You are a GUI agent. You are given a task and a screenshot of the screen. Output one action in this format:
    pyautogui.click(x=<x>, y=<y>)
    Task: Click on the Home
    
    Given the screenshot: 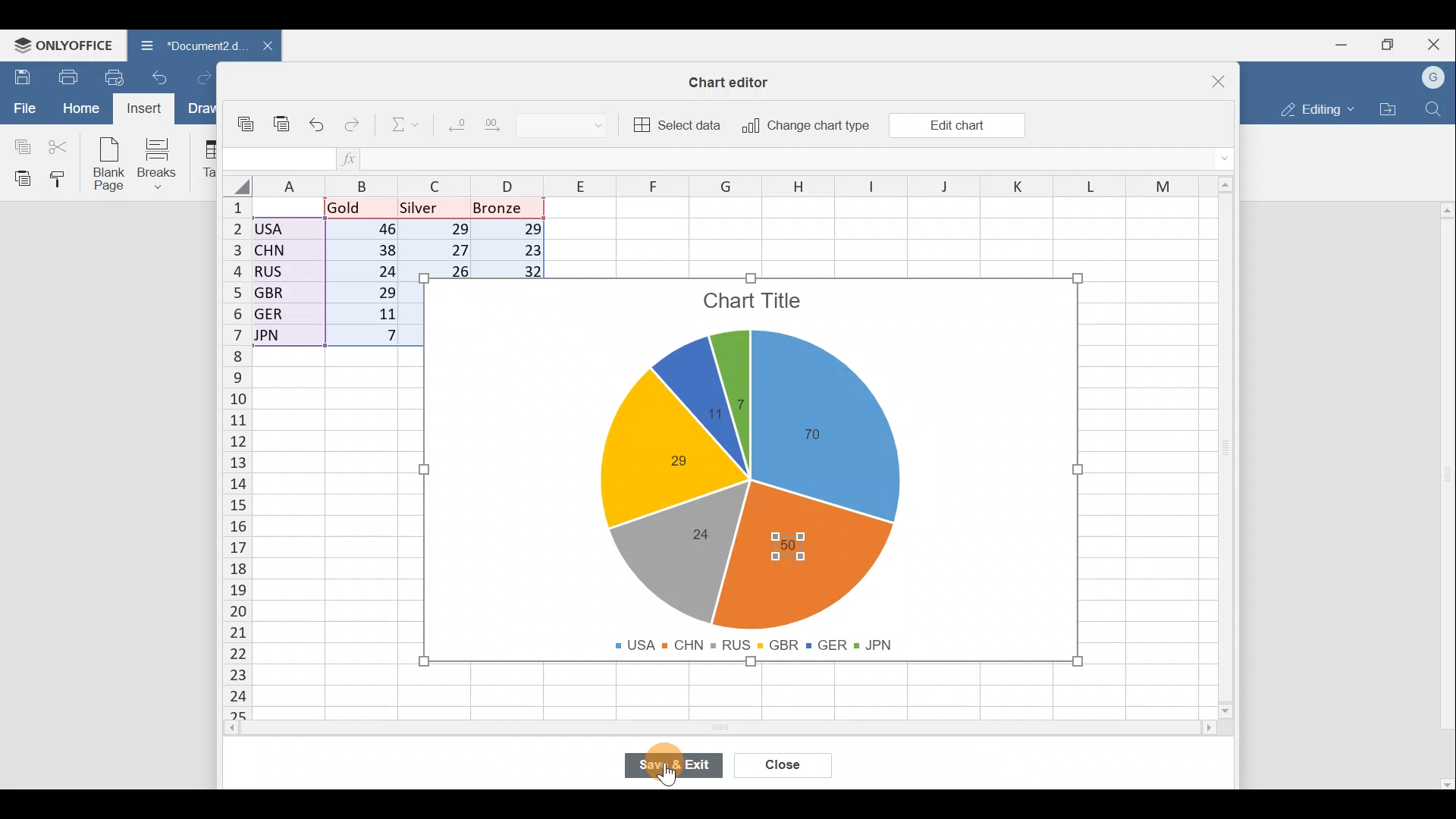 What is the action you would take?
    pyautogui.click(x=80, y=108)
    